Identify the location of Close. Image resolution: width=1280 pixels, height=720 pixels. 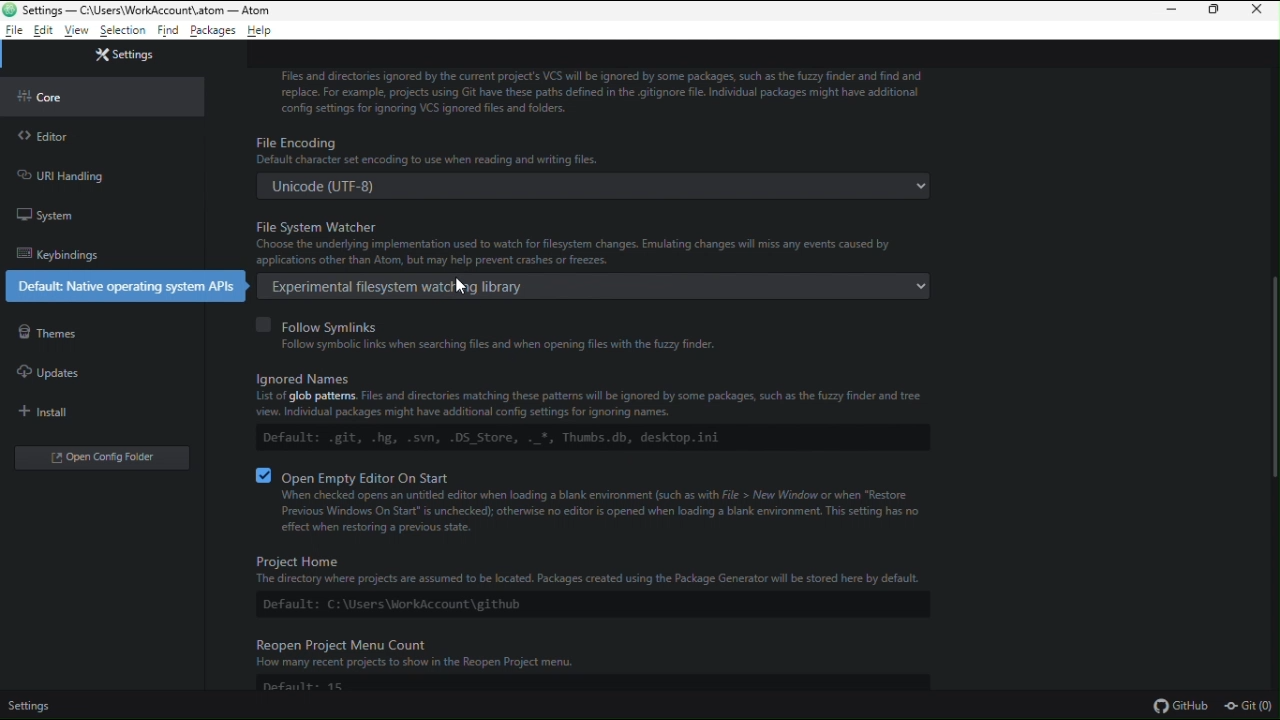
(1261, 12).